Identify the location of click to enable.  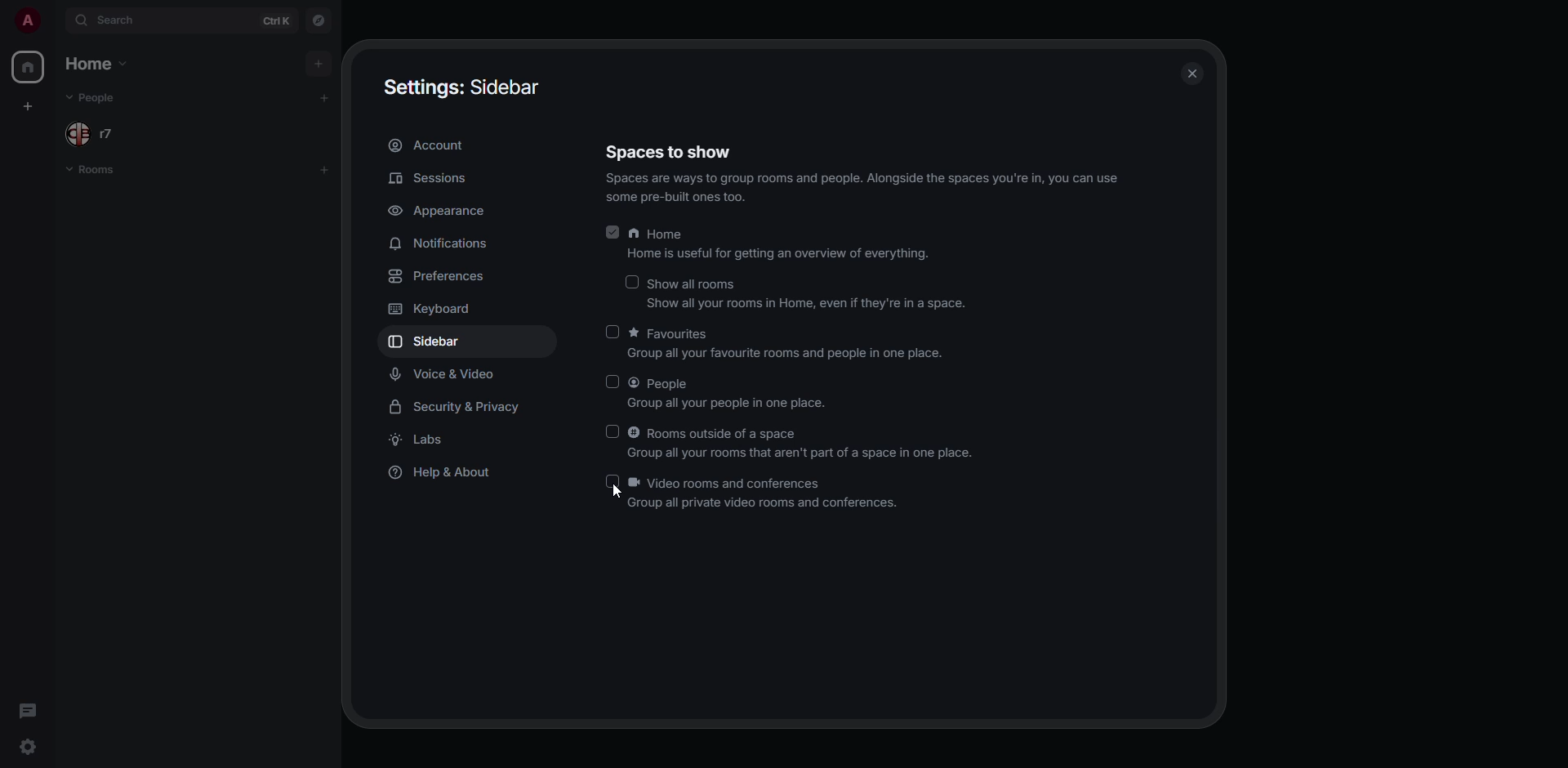
(613, 431).